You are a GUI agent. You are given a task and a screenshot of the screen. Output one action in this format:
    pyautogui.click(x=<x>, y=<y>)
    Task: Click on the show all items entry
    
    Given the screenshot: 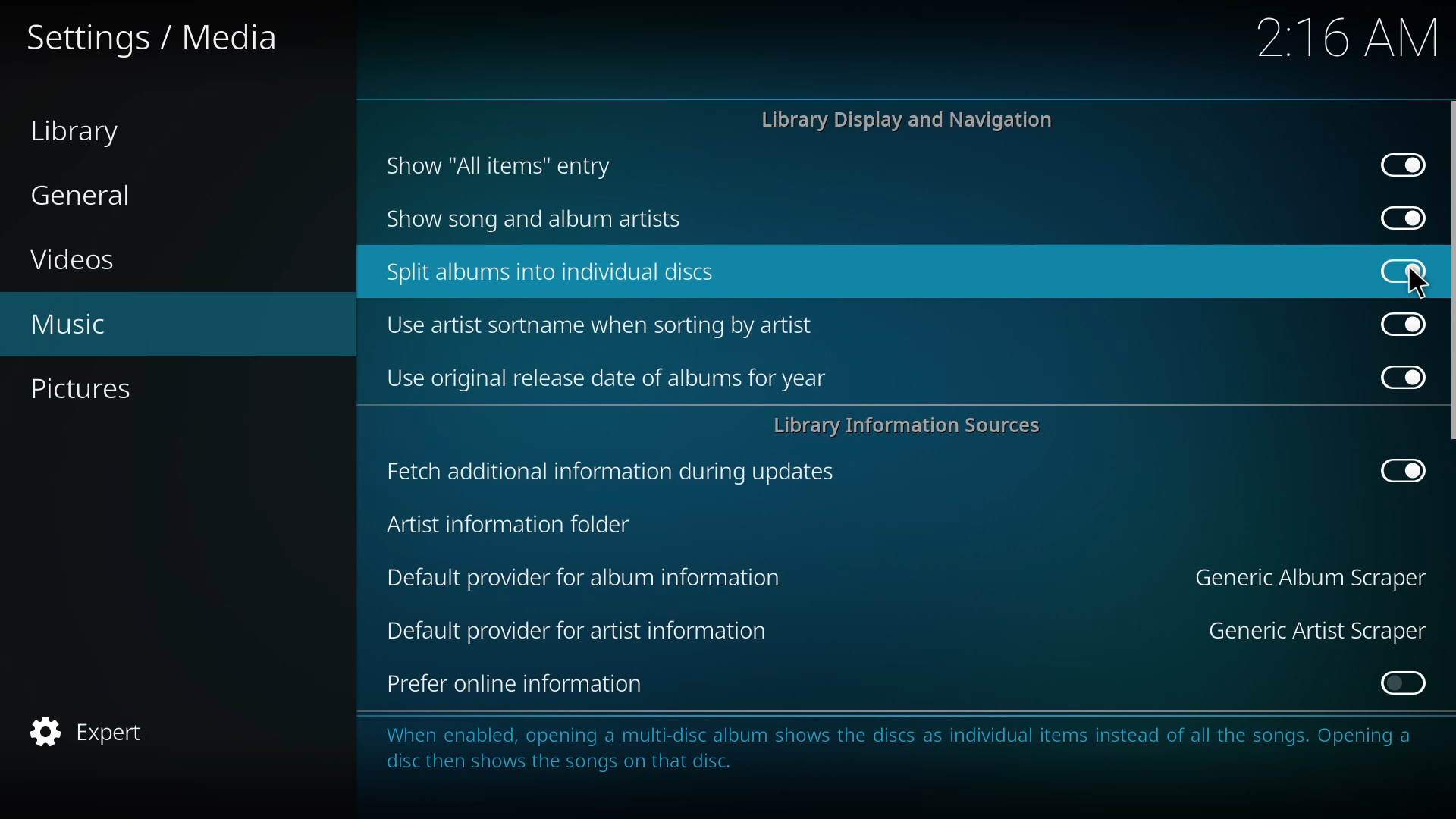 What is the action you would take?
    pyautogui.click(x=501, y=165)
    